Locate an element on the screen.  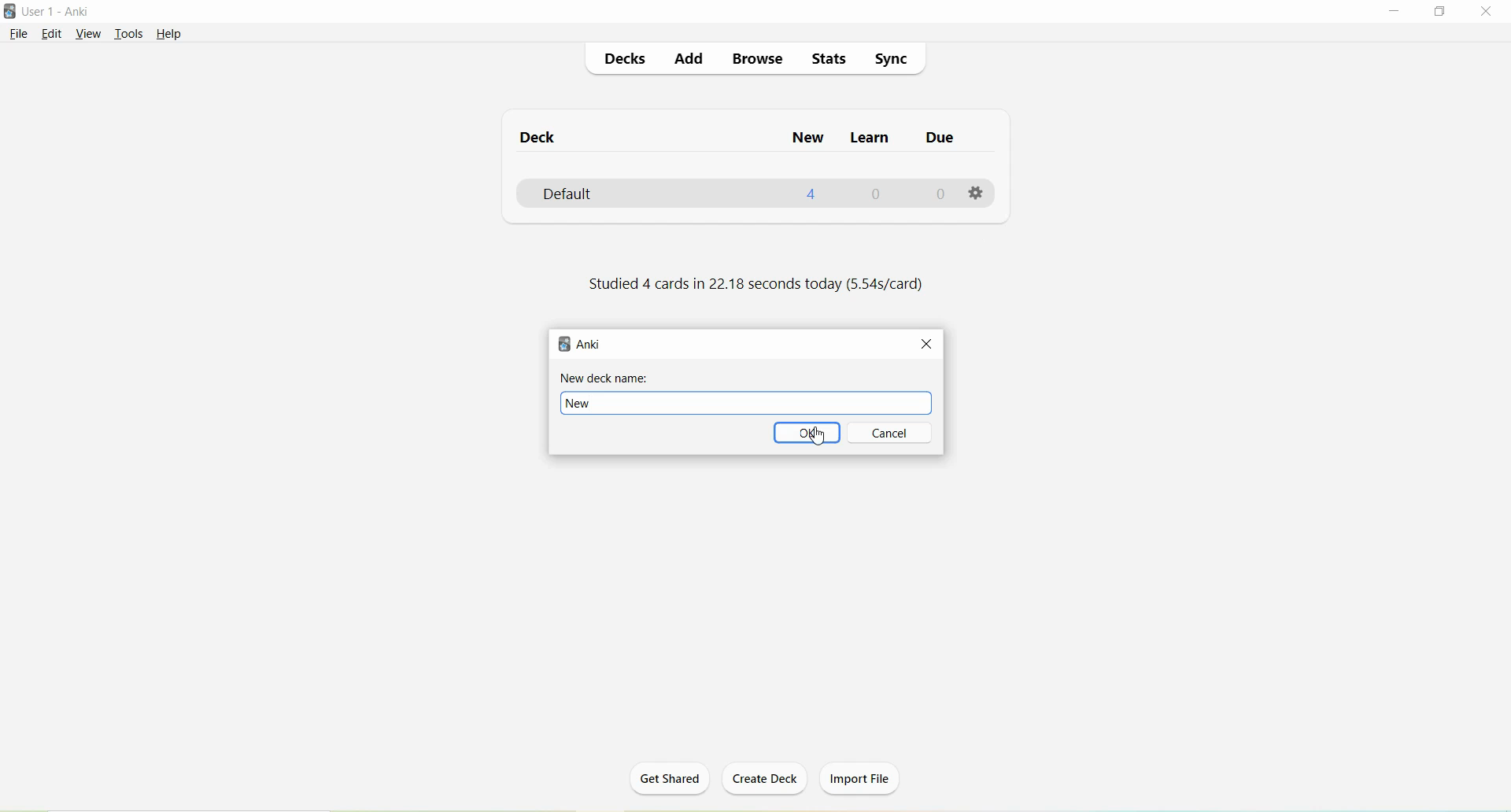
Default is located at coordinates (593, 194).